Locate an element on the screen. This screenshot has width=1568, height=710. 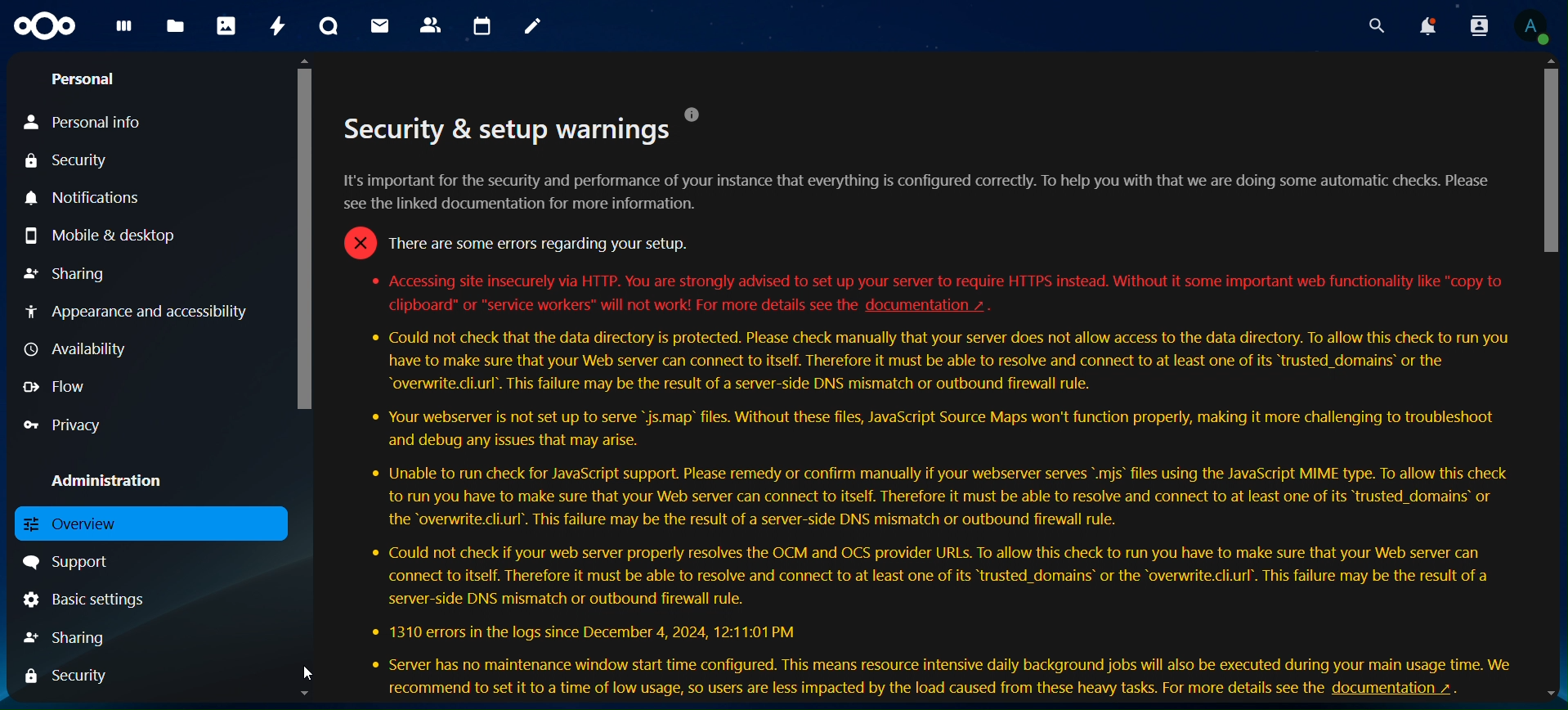
mobile & desktop is located at coordinates (100, 236).